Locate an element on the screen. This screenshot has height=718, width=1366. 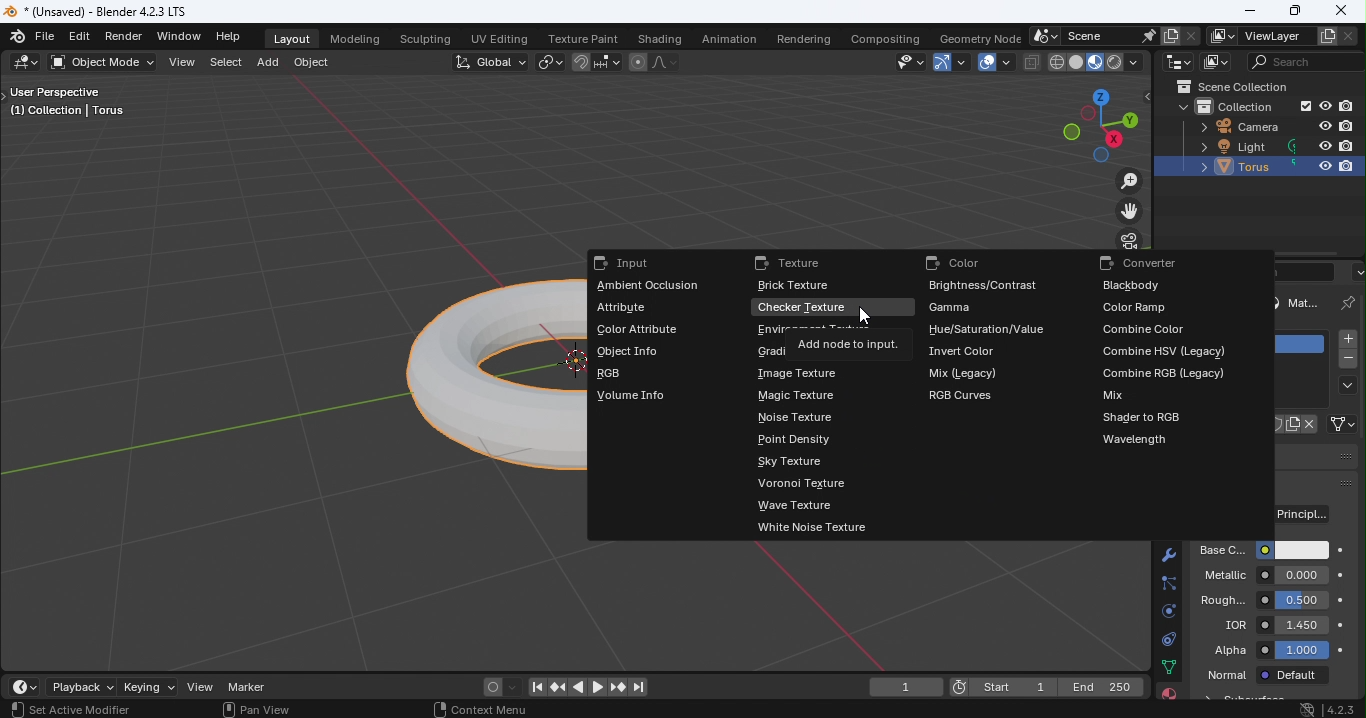
Proportional editing fallout is located at coordinates (664, 60).